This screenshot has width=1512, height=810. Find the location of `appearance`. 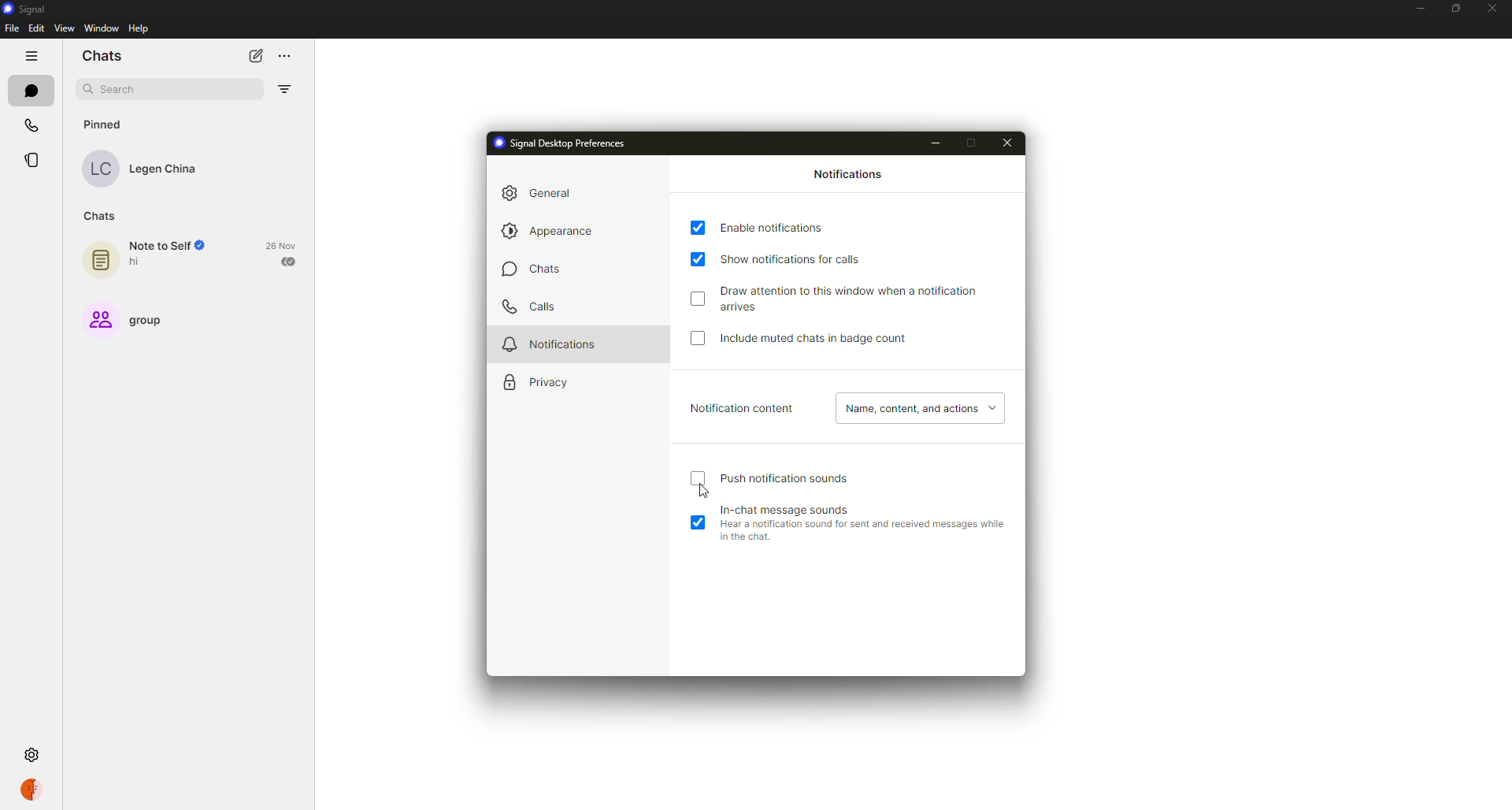

appearance is located at coordinates (553, 232).